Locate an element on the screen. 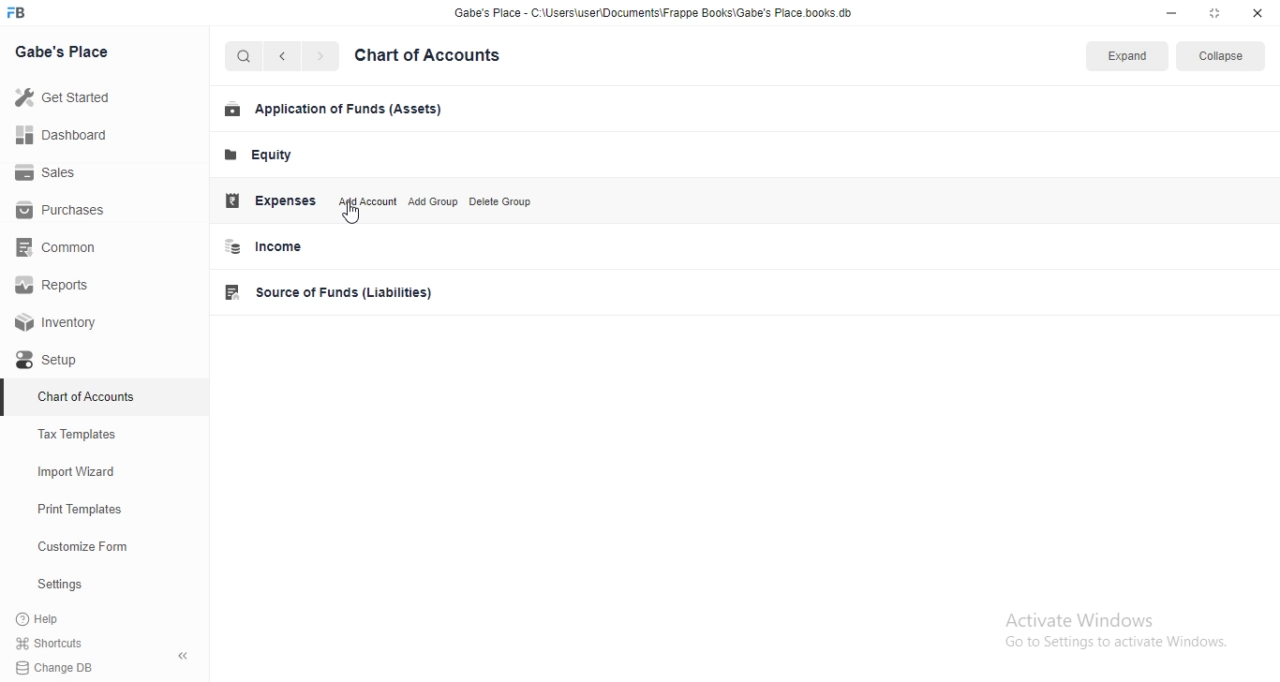  Collapse. is located at coordinates (1225, 57).